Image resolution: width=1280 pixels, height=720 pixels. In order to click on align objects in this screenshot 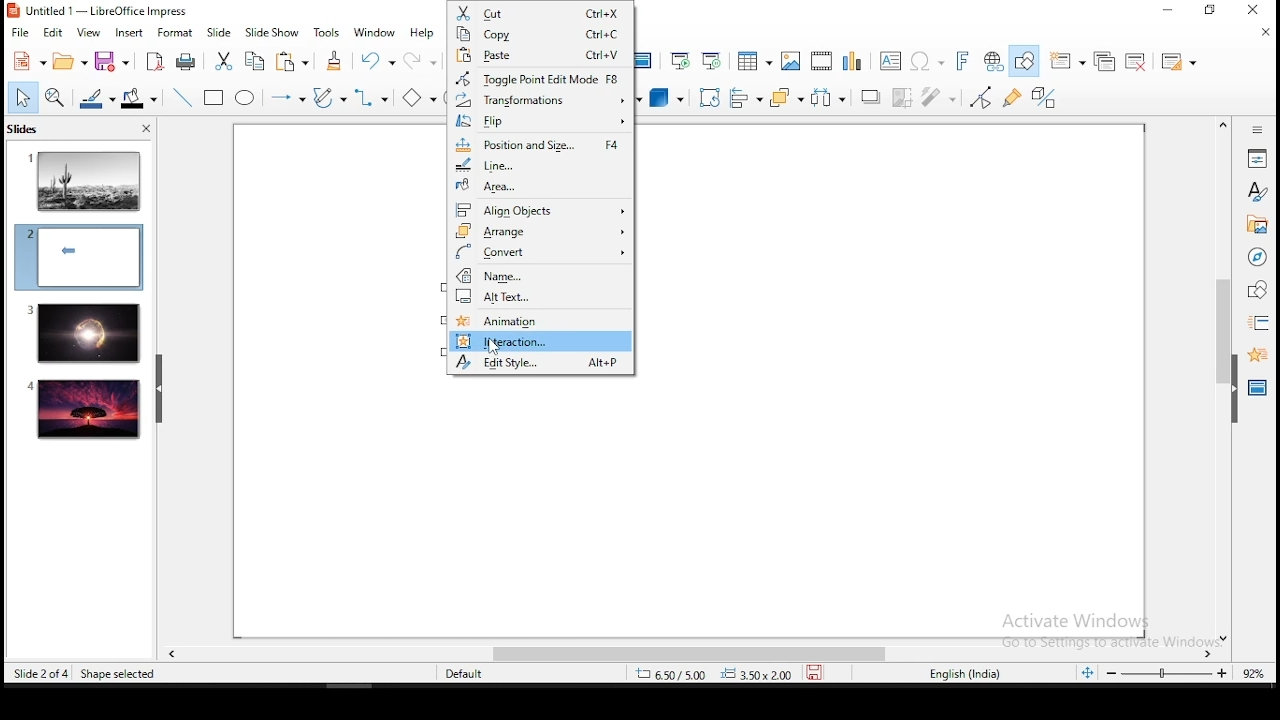, I will do `click(746, 100)`.